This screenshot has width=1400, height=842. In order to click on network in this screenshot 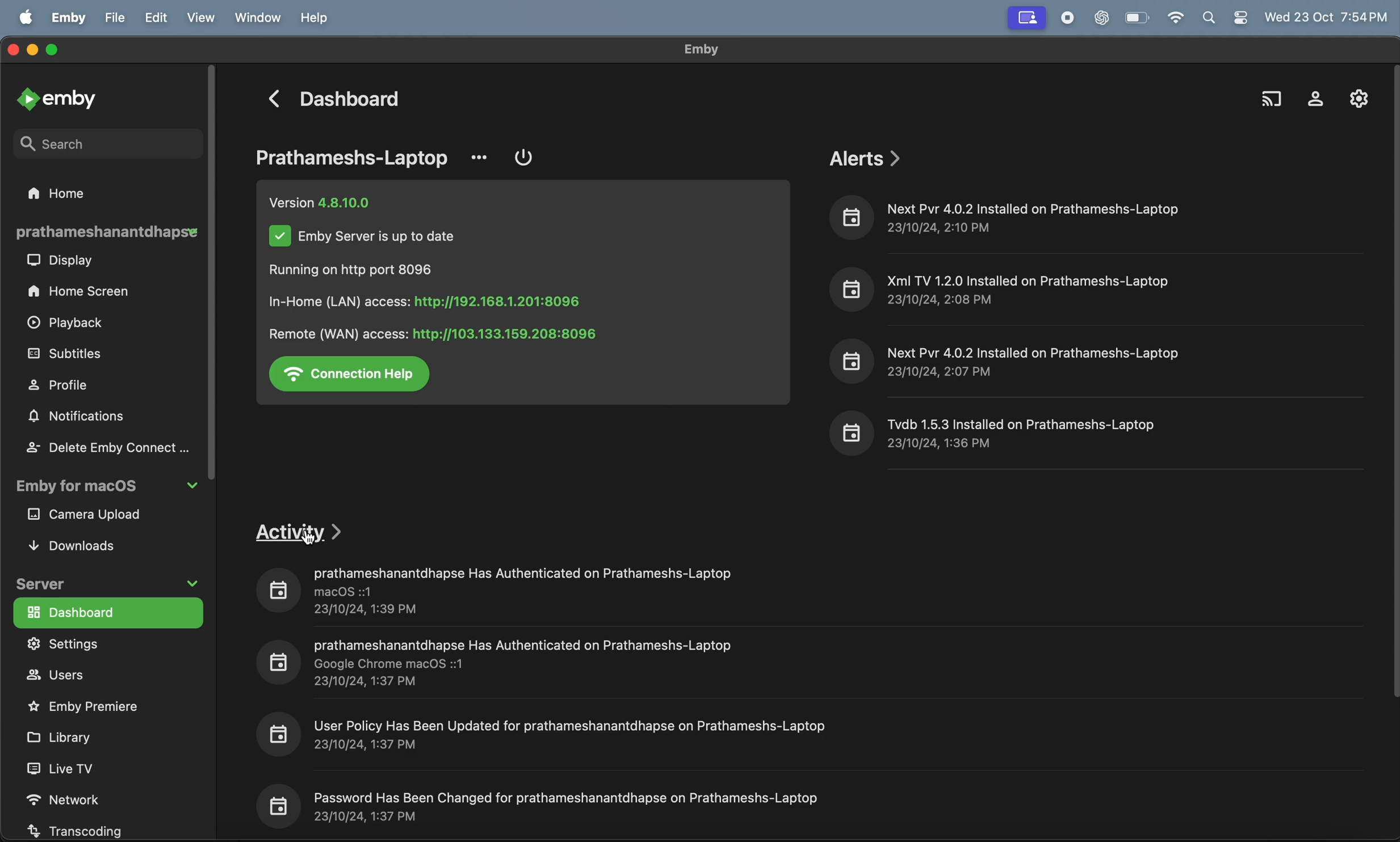, I will do `click(81, 796)`.